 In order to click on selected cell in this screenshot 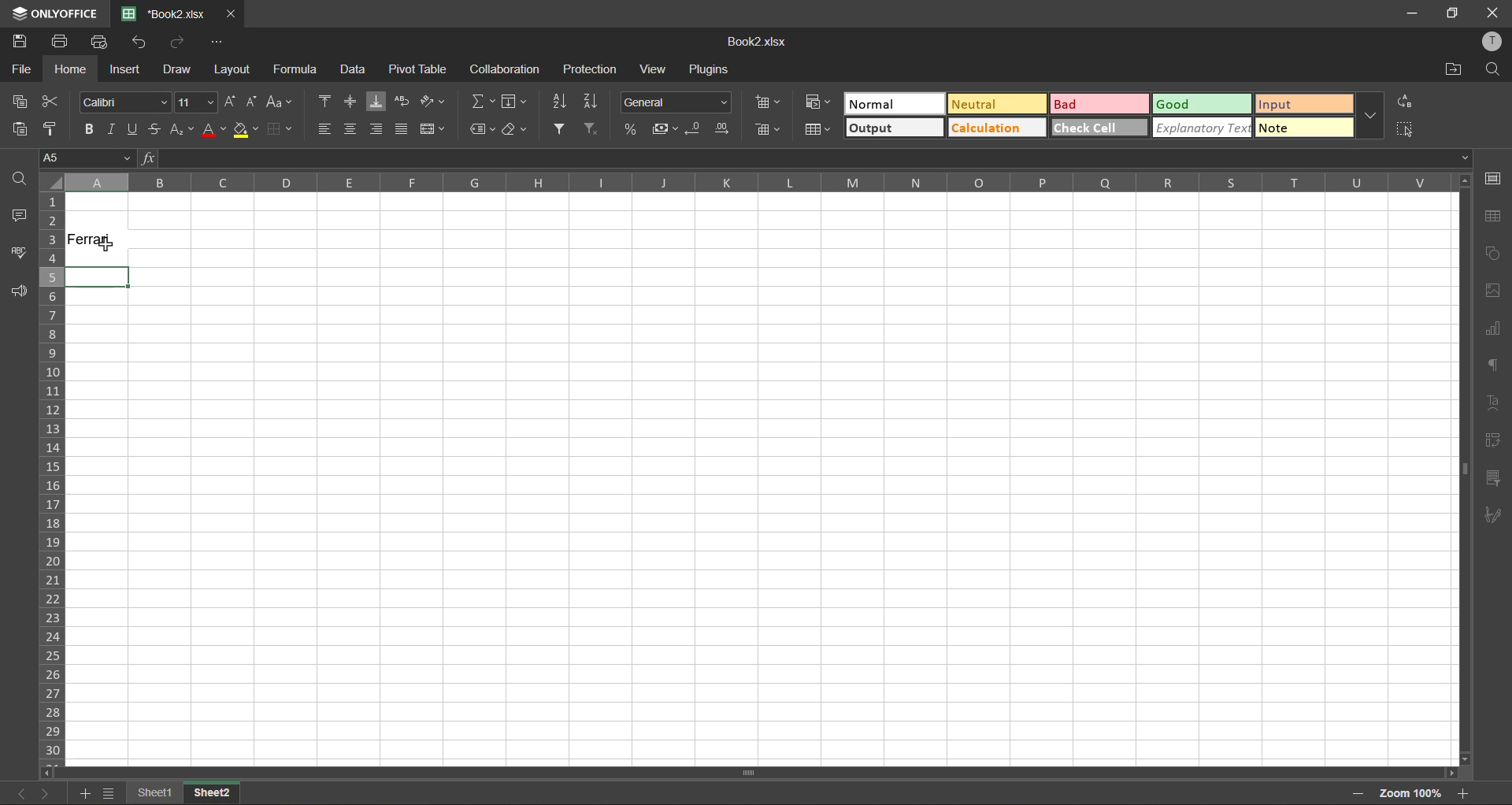, I will do `click(96, 276)`.